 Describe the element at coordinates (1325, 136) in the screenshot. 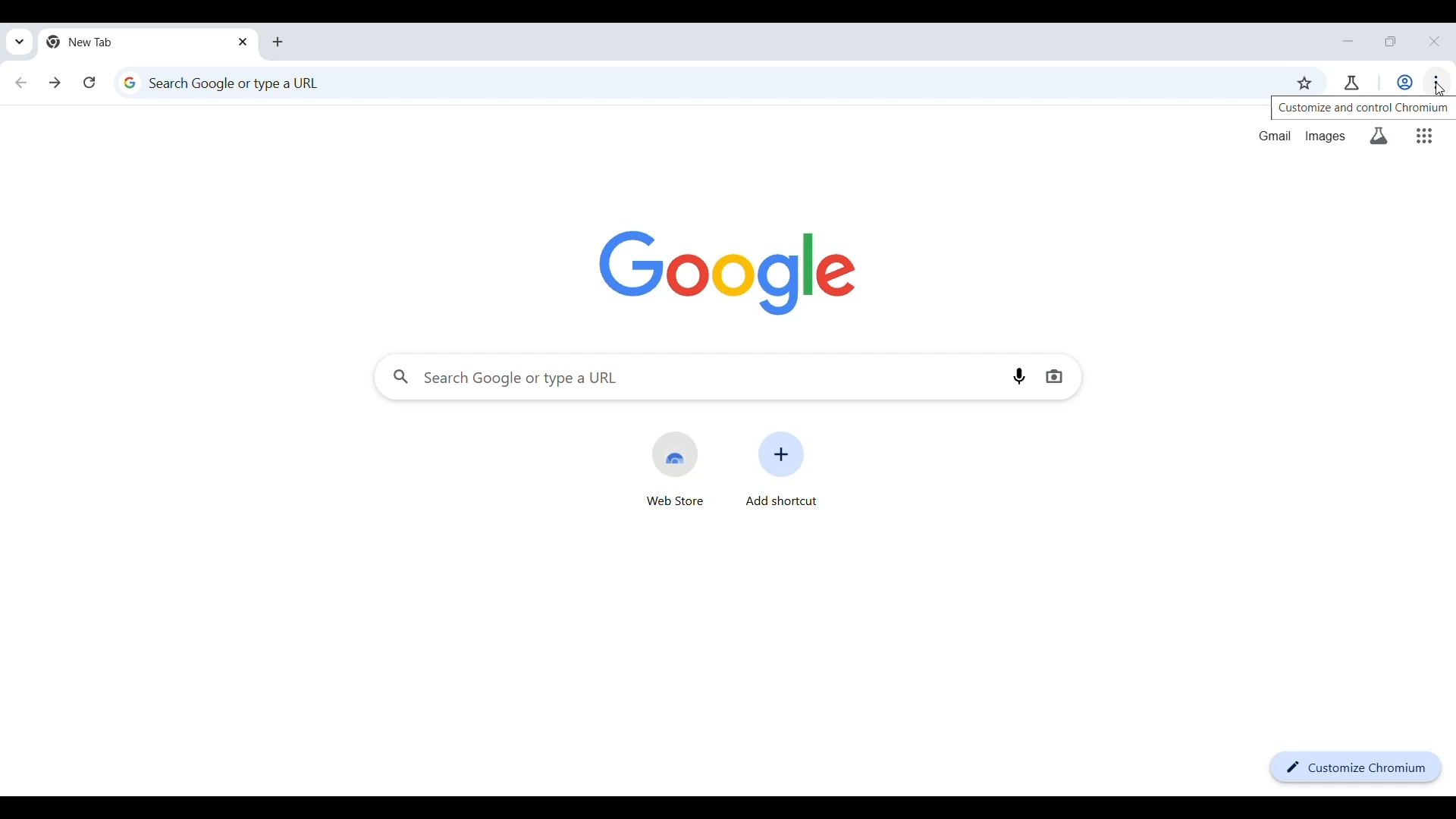

I see `Search Google images` at that location.